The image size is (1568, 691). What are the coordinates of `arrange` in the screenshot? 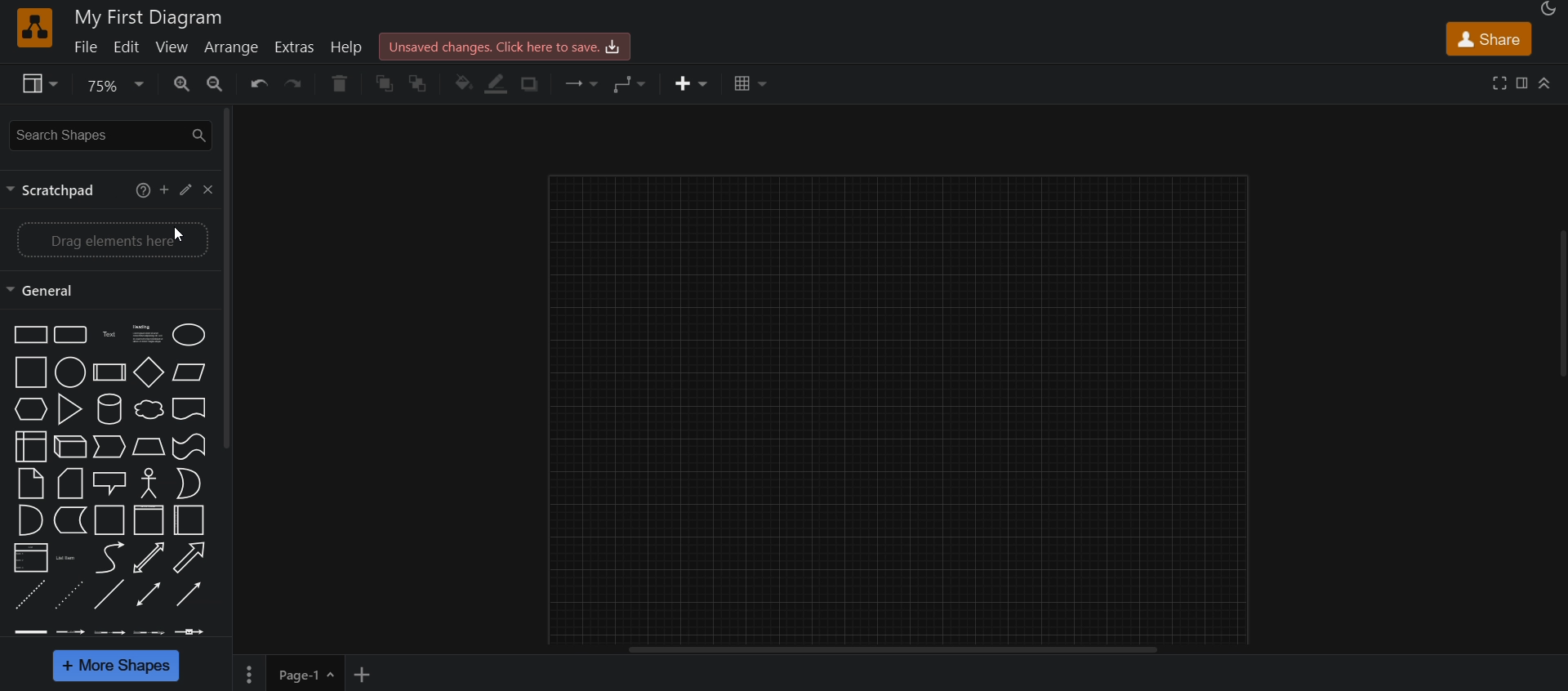 It's located at (234, 49).